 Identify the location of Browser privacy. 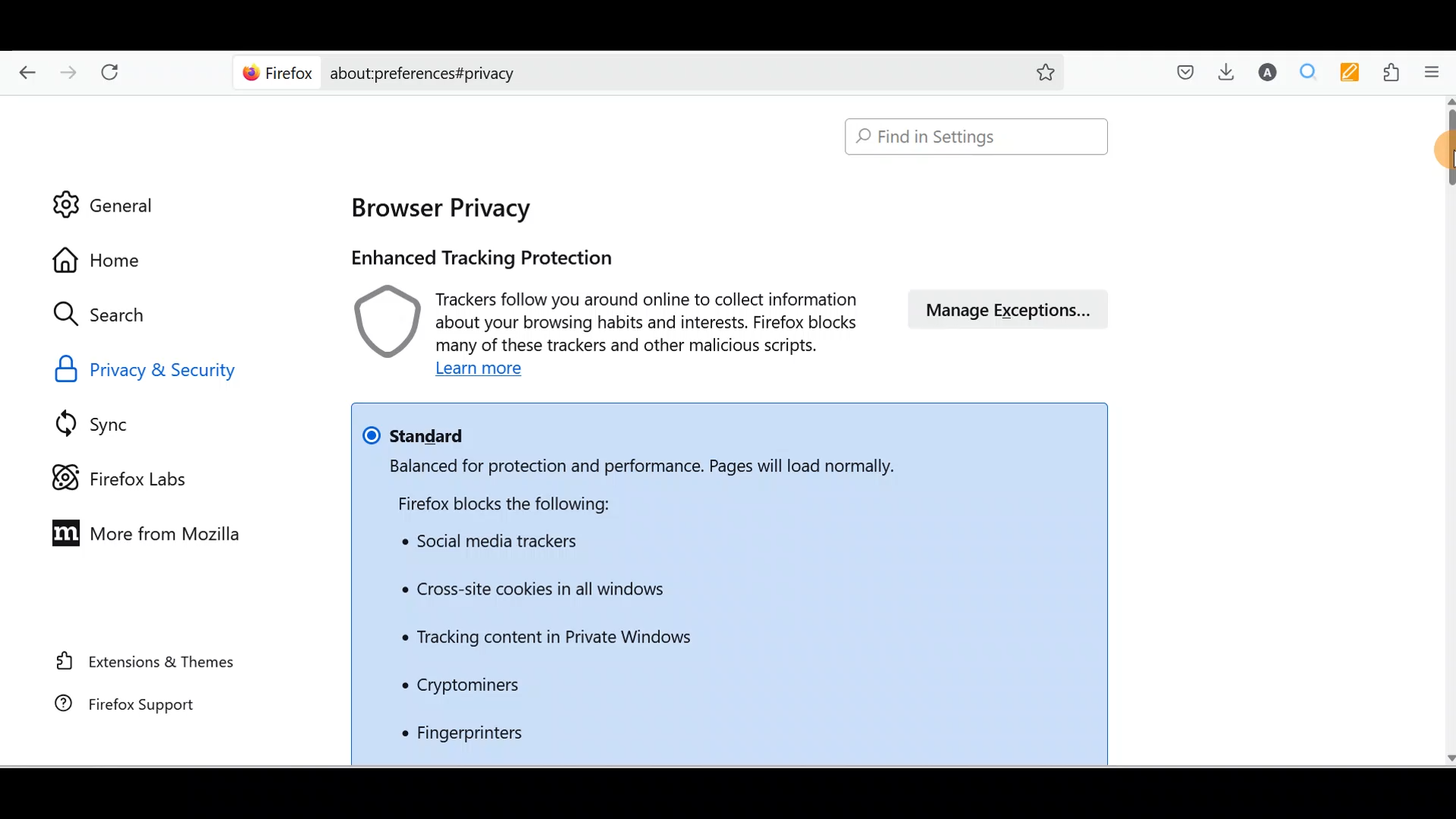
(442, 207).